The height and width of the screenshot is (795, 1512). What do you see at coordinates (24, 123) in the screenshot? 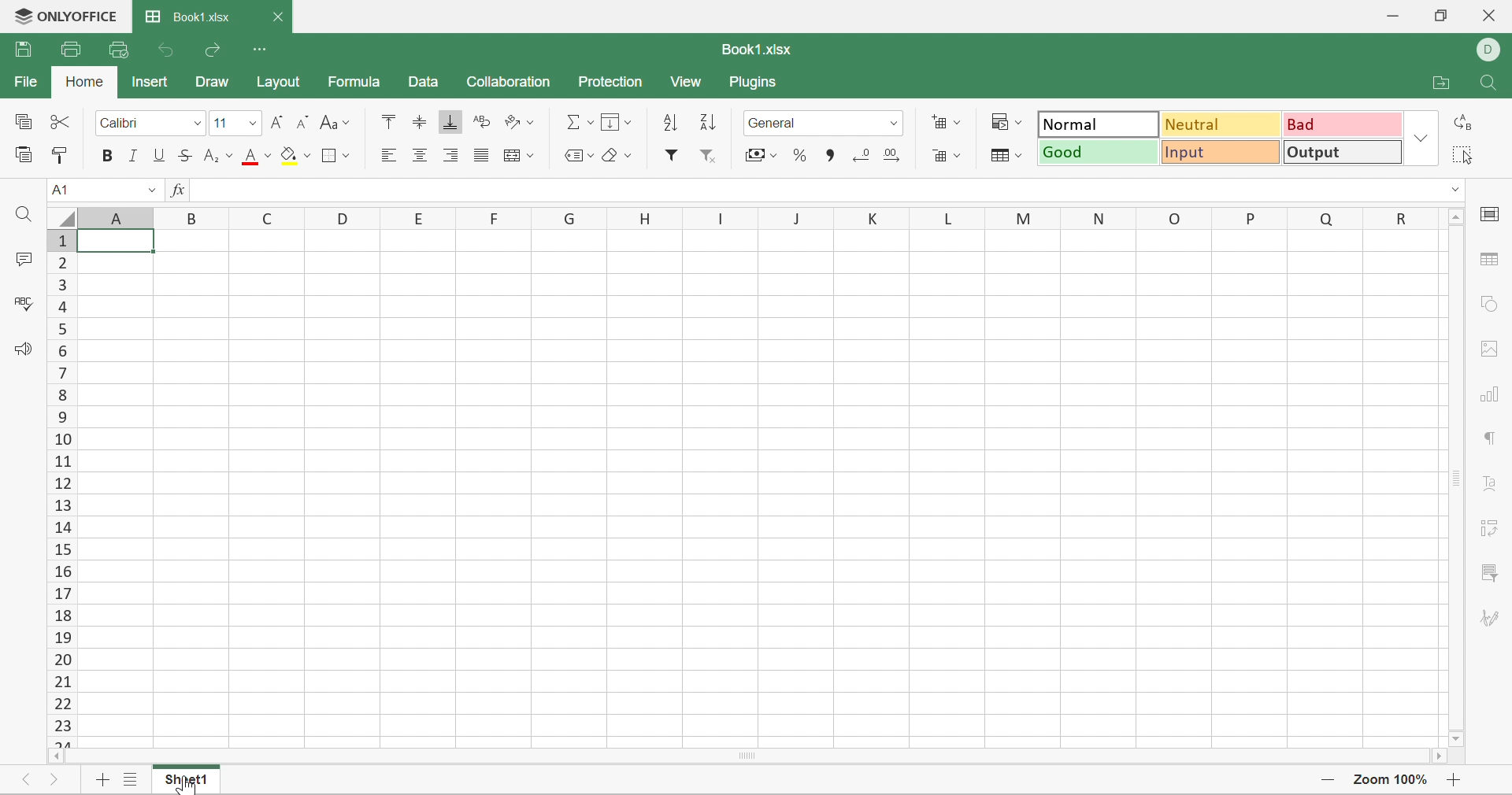
I see `Copy` at bounding box center [24, 123].